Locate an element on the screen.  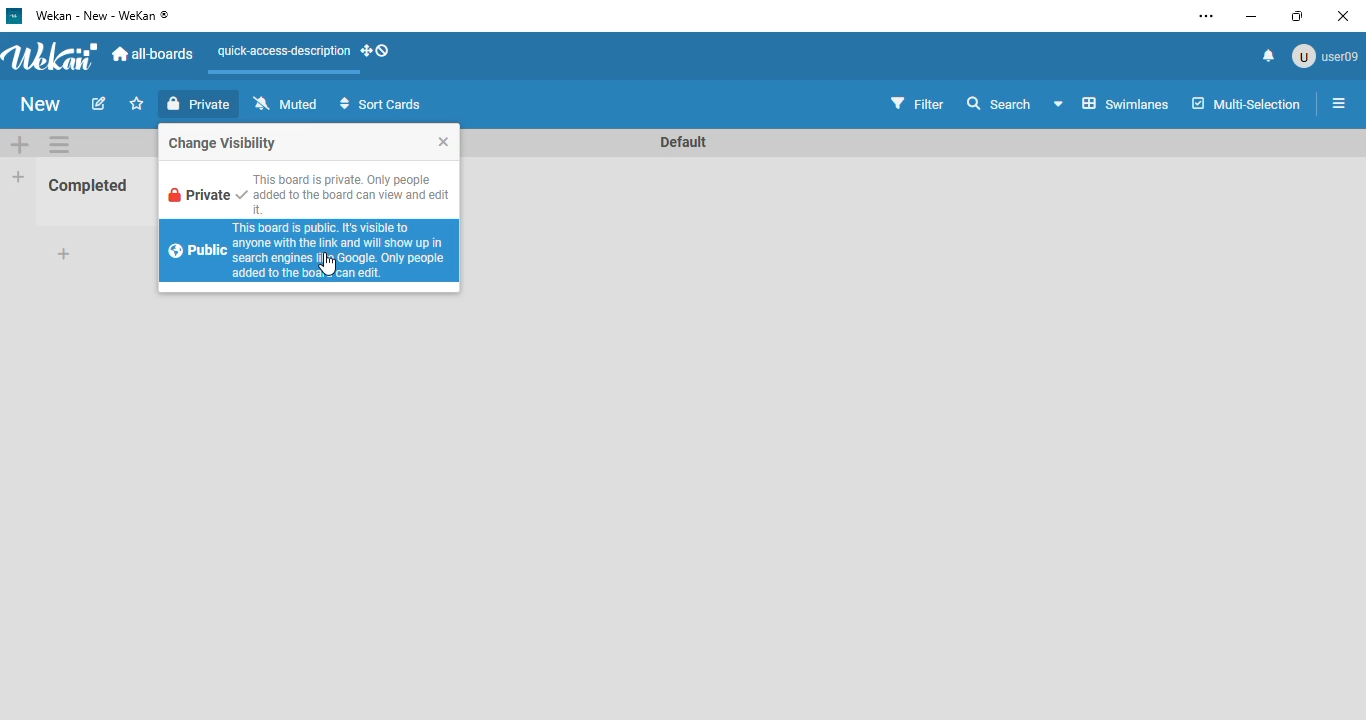
show-desktop-drag-handles is located at coordinates (375, 50).